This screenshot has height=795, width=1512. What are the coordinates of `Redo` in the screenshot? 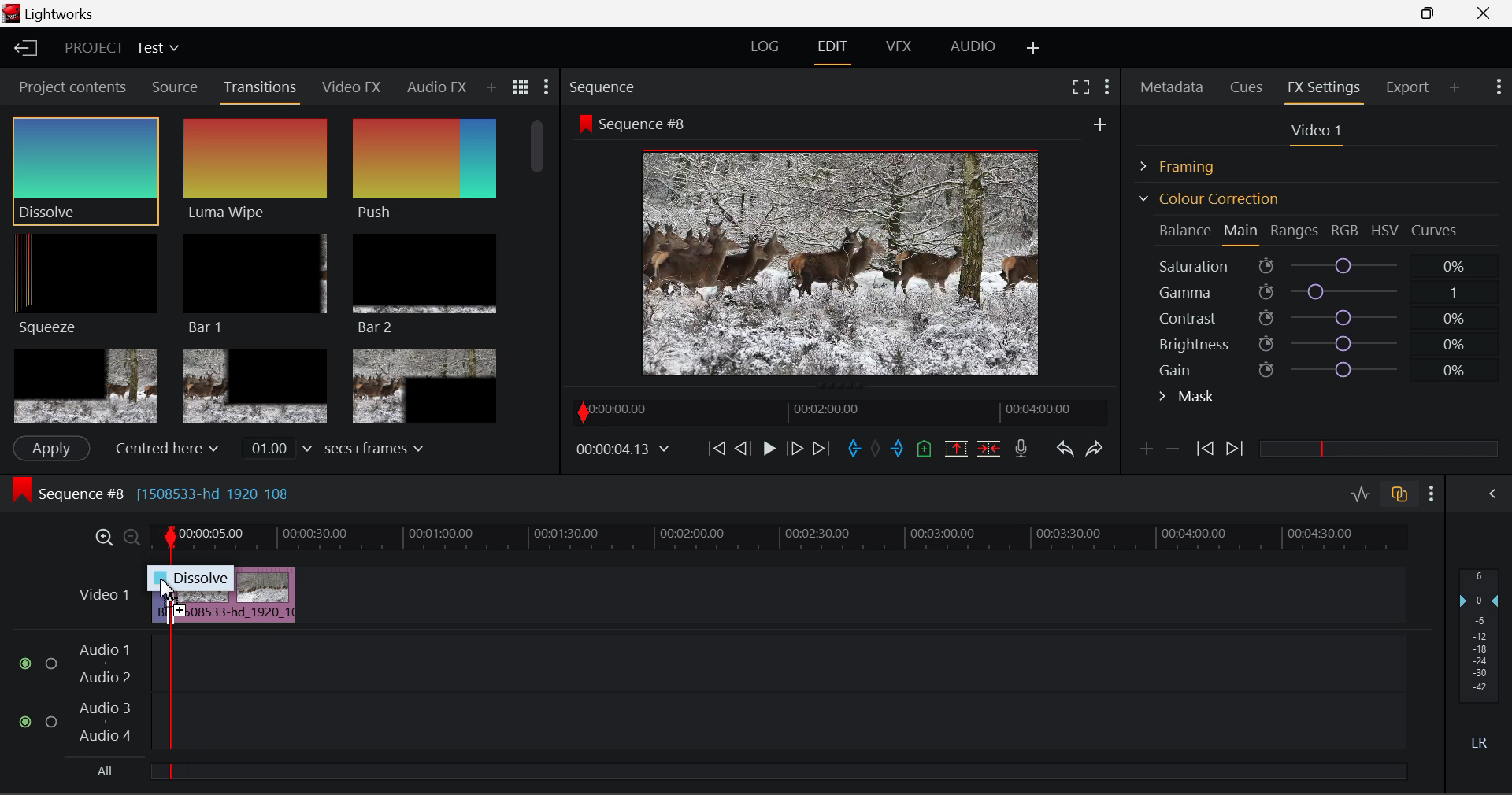 It's located at (1095, 448).